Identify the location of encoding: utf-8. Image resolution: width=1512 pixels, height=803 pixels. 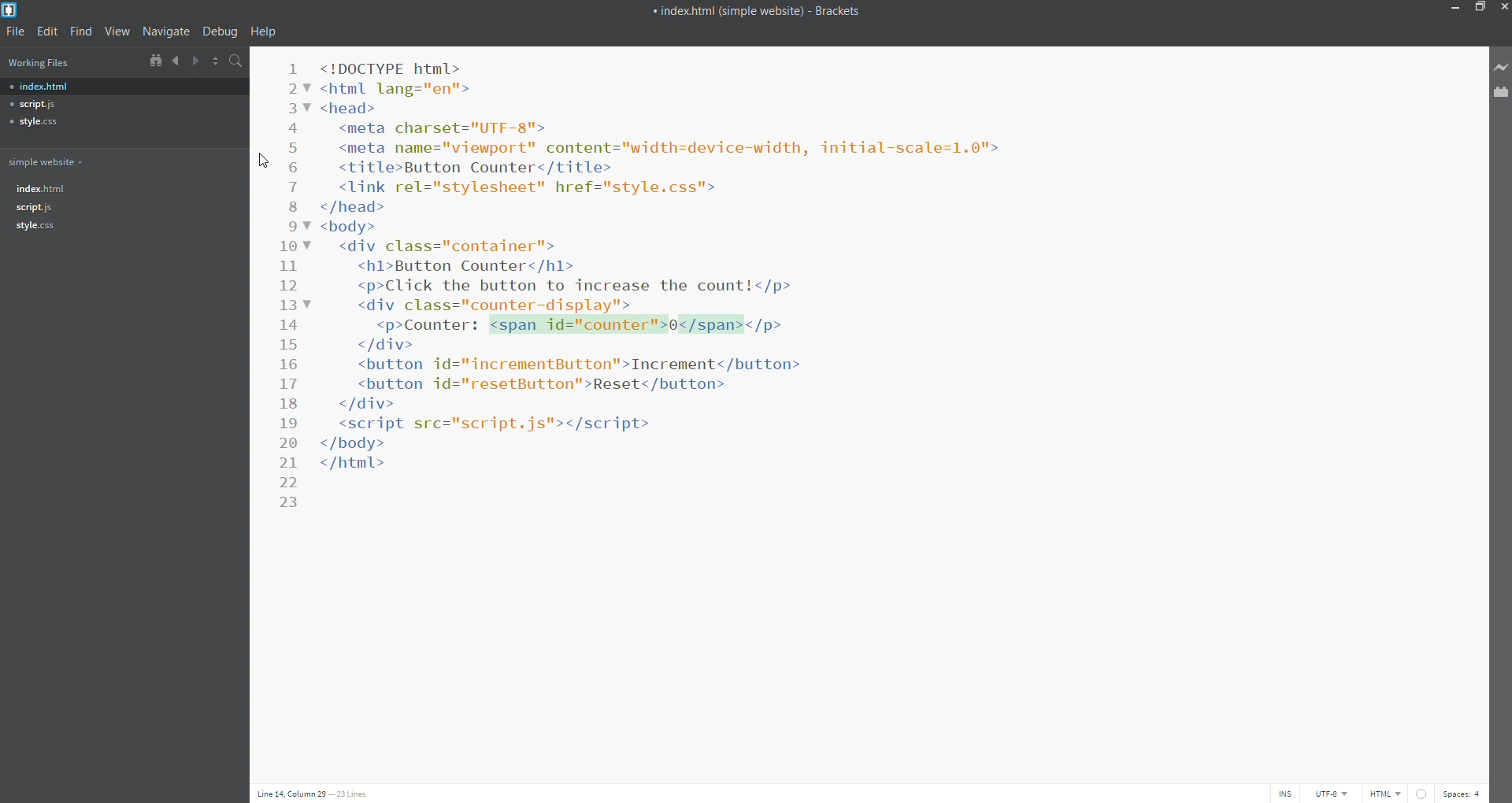
(1336, 794).